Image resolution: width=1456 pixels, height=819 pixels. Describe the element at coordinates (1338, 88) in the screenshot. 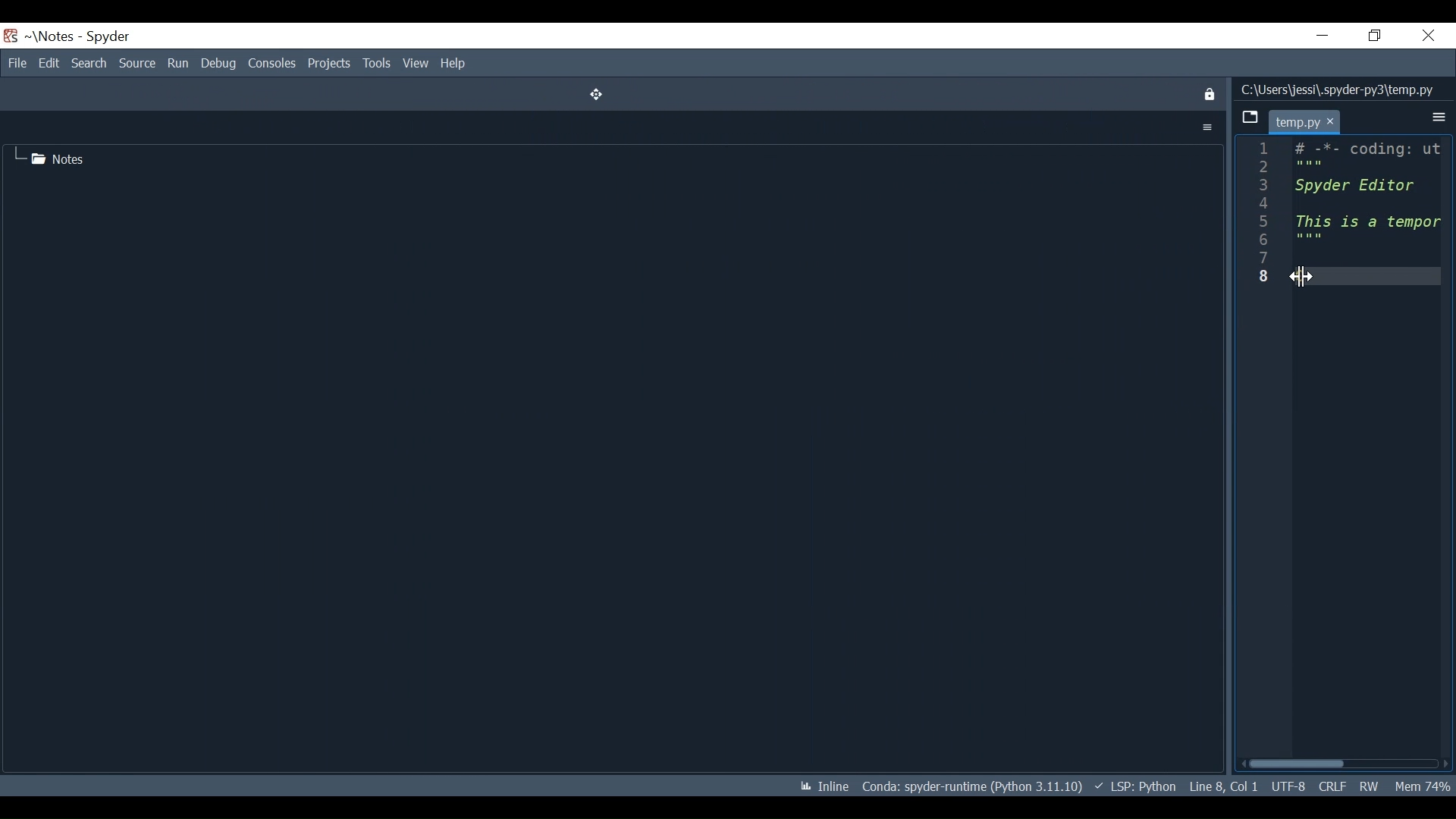

I see ` C:\Users\jessi\.spyder-py3\temp.py` at that location.